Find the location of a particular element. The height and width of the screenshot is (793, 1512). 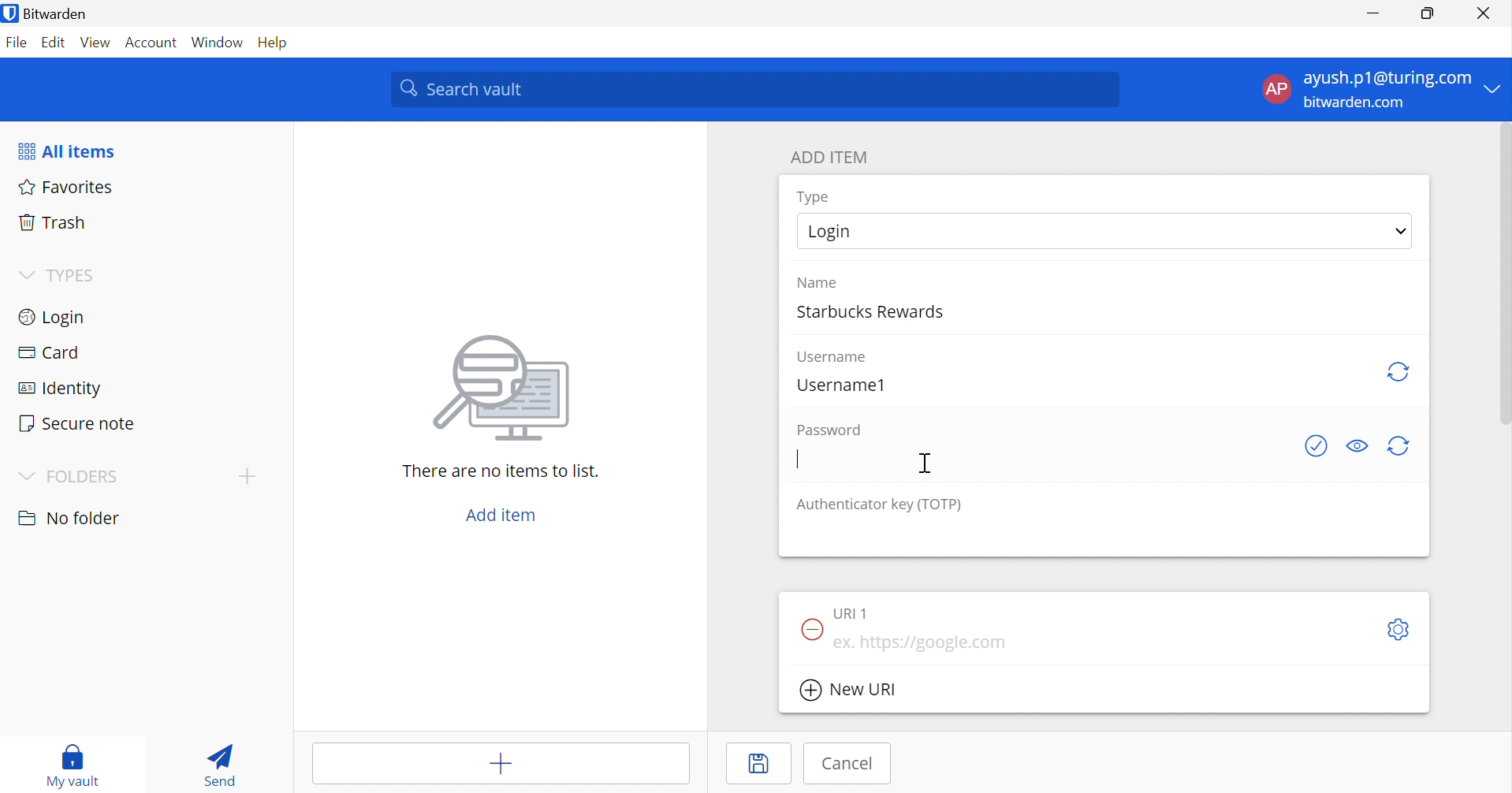

New URI is located at coordinates (849, 692).